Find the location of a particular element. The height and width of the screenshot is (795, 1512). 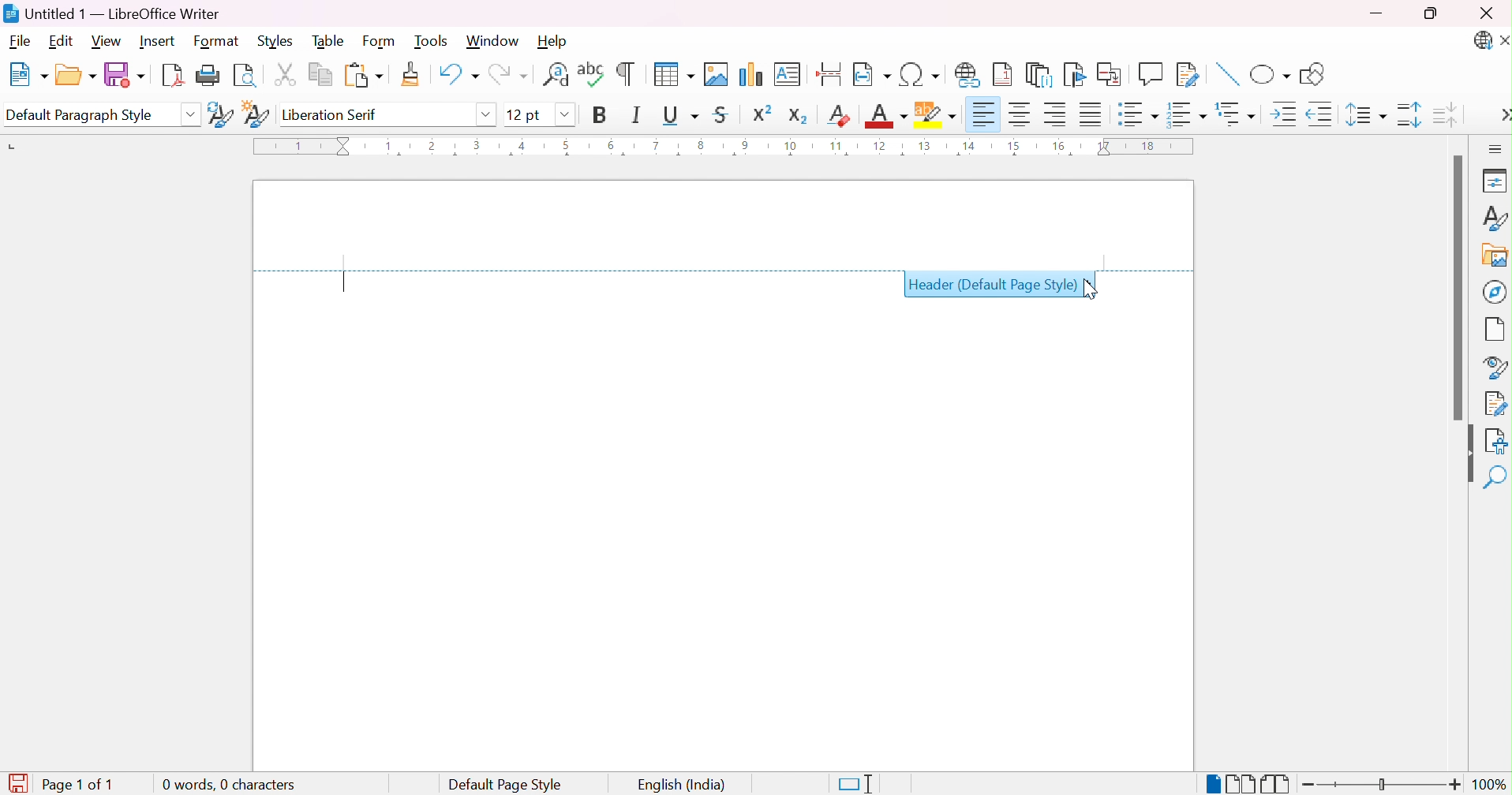

Window is located at coordinates (494, 41).